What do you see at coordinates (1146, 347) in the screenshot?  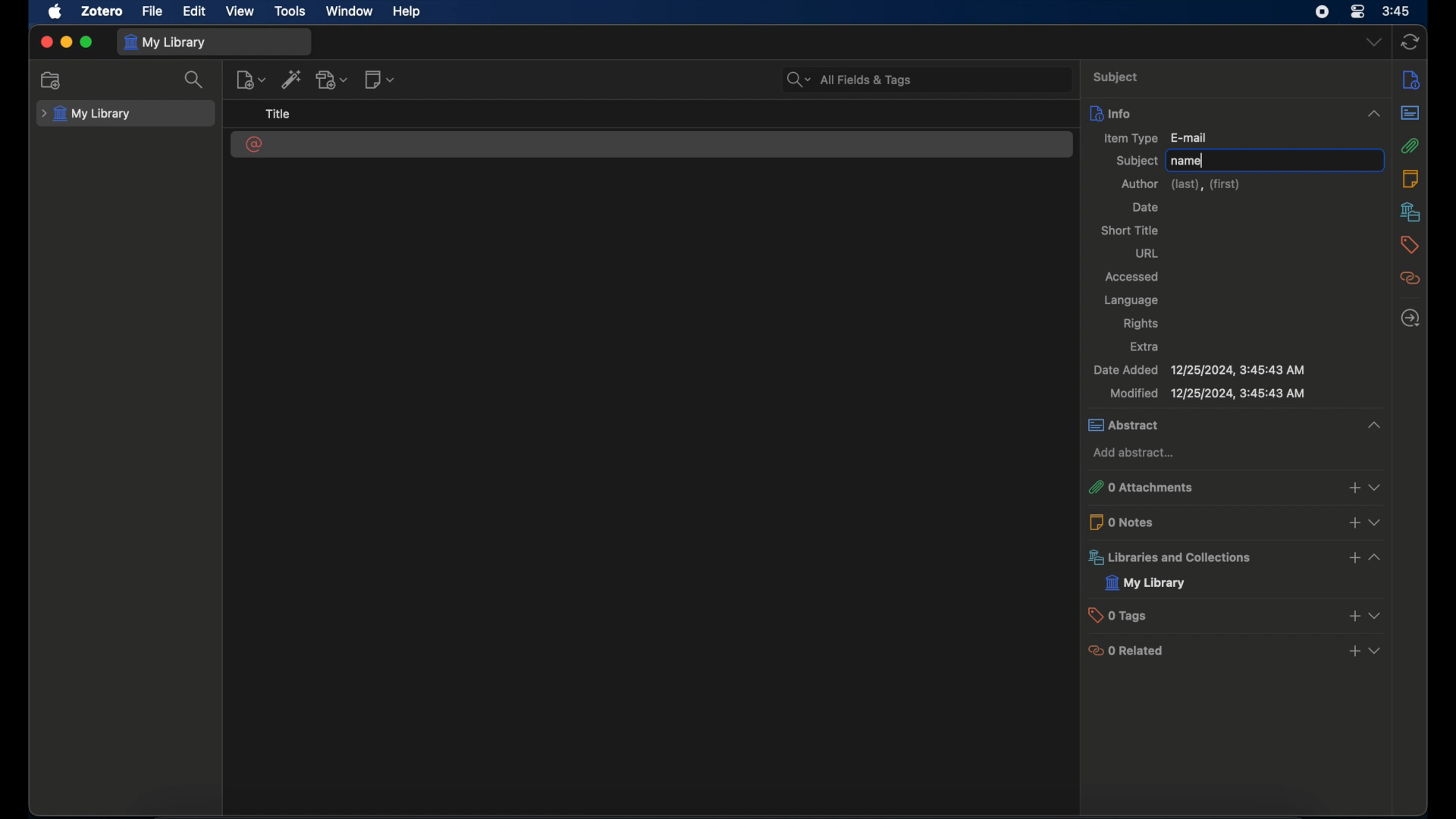 I see `extra` at bounding box center [1146, 347].